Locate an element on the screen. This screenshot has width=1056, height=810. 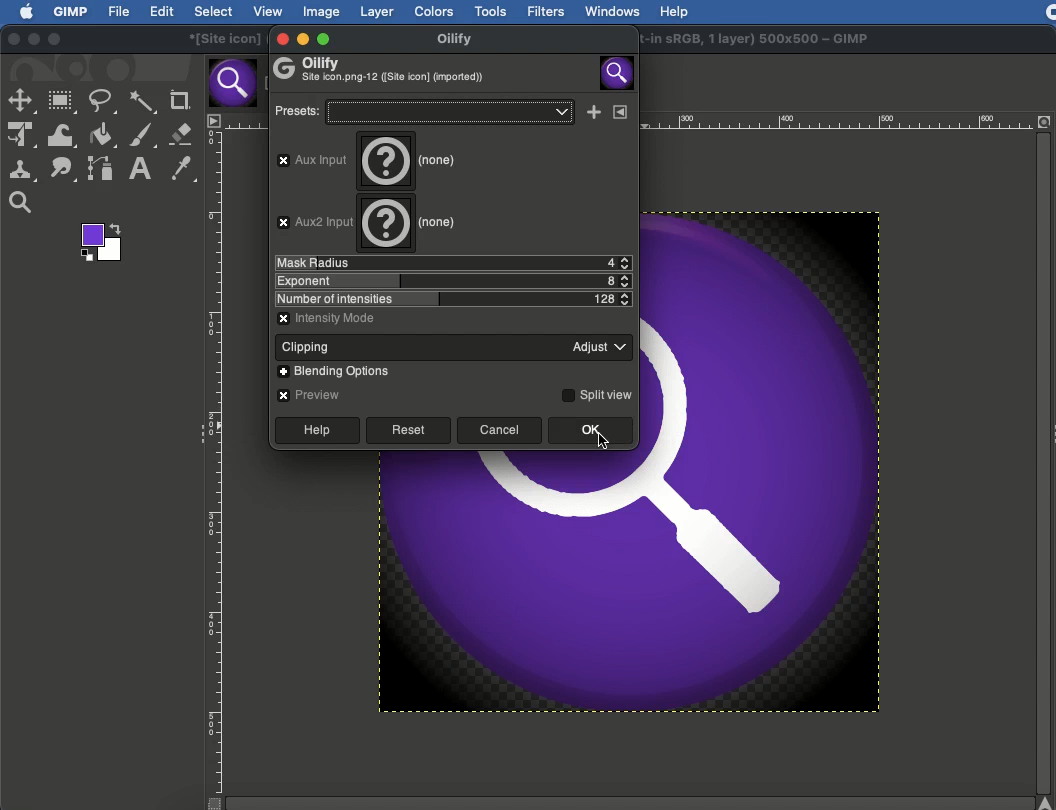
Oilify is located at coordinates (380, 68).